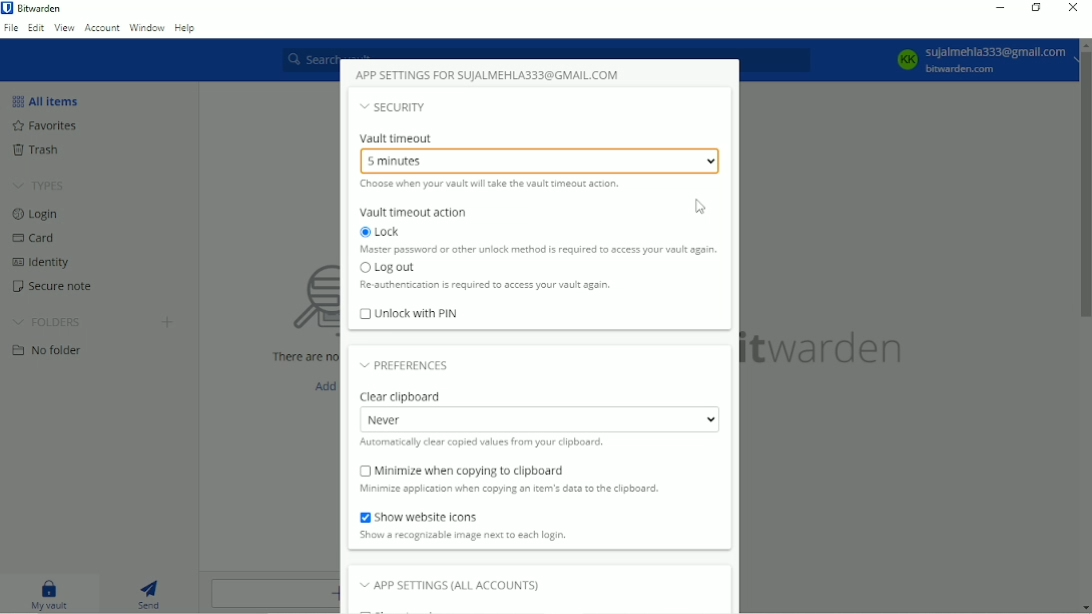 This screenshot has height=614, width=1092. I want to click on Edit, so click(34, 29).